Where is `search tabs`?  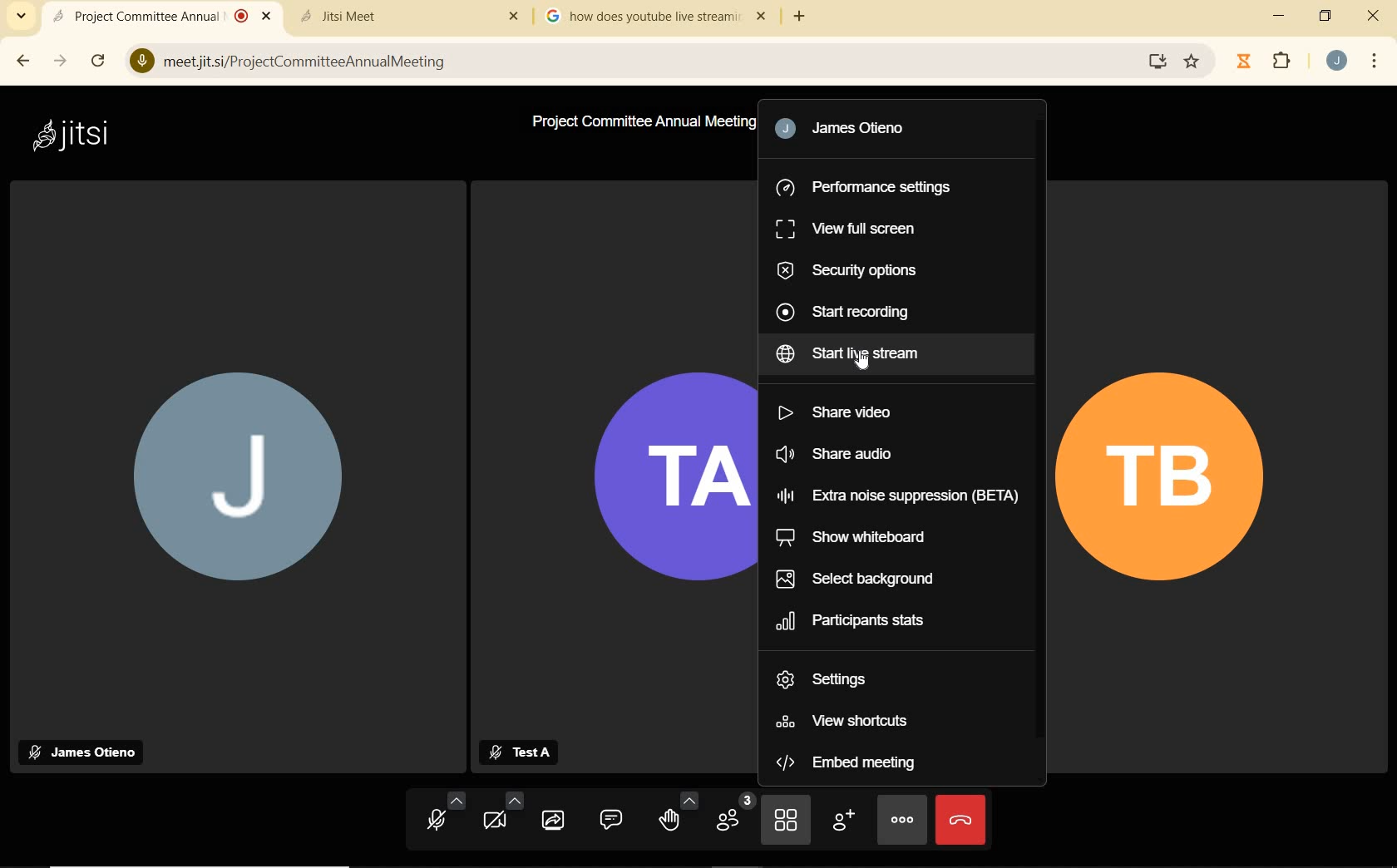
search tabs is located at coordinates (22, 17).